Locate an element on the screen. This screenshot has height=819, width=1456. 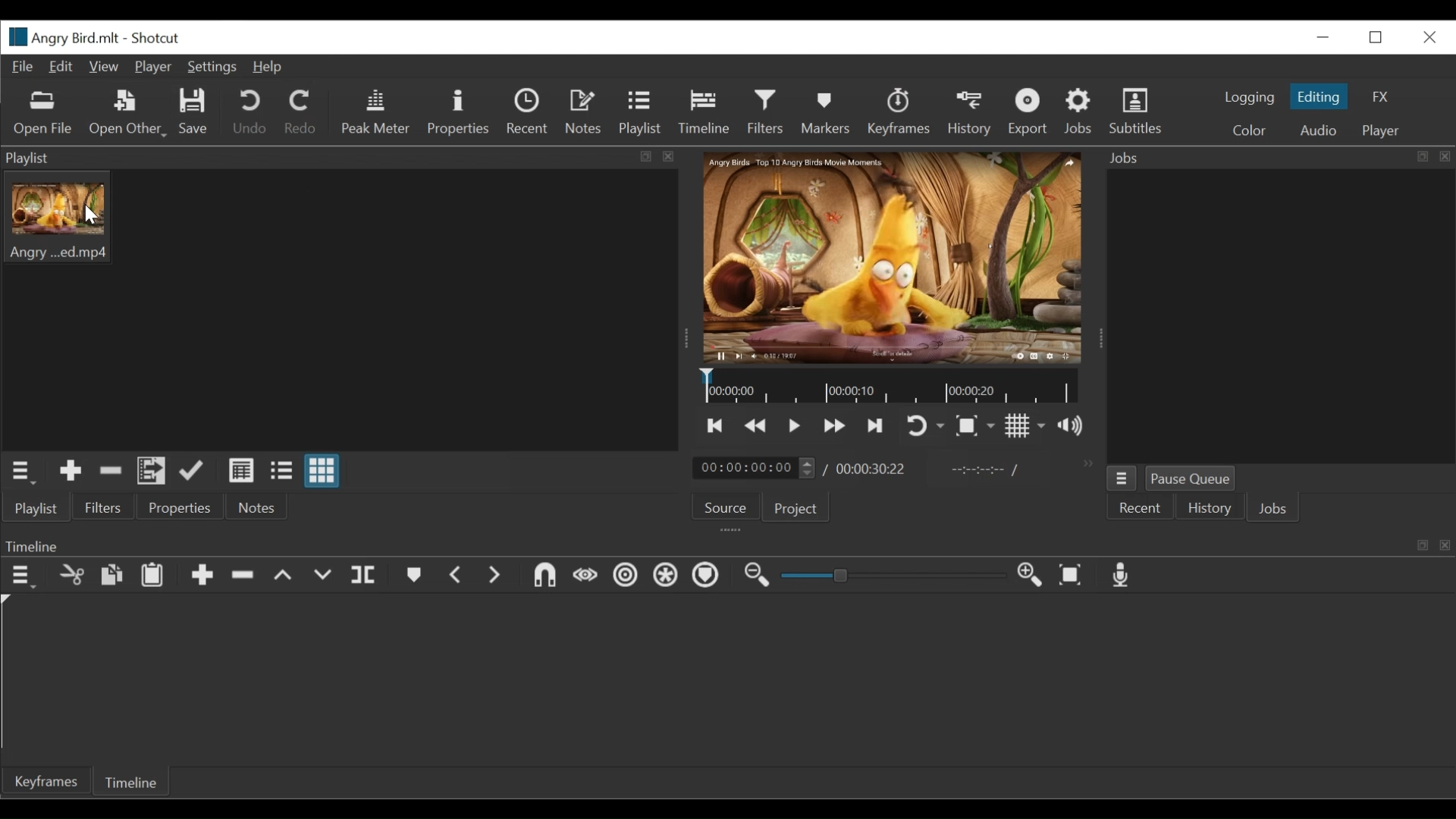
Pause Queue is located at coordinates (1194, 478).